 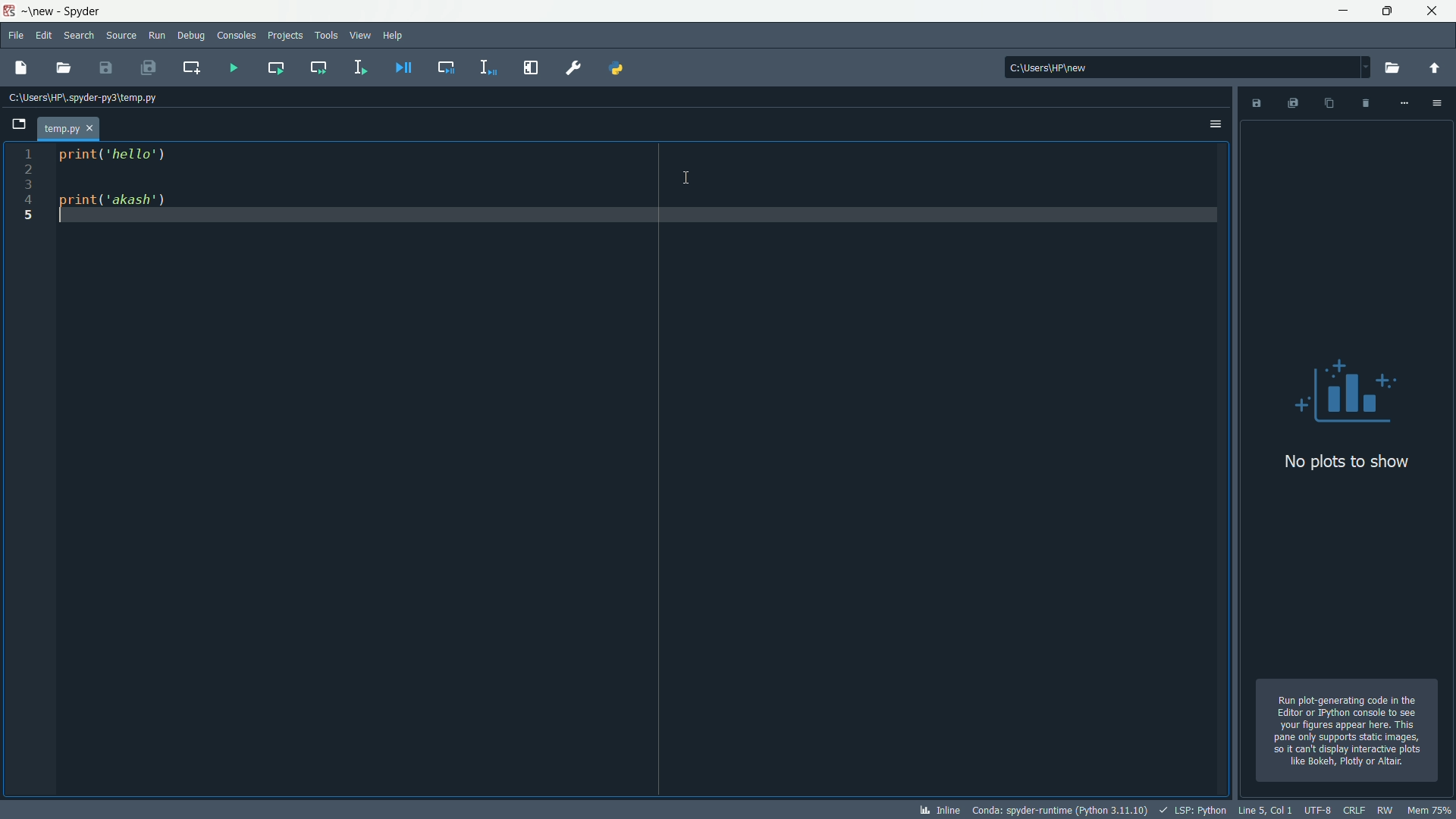 I want to click on help menu, so click(x=391, y=36).